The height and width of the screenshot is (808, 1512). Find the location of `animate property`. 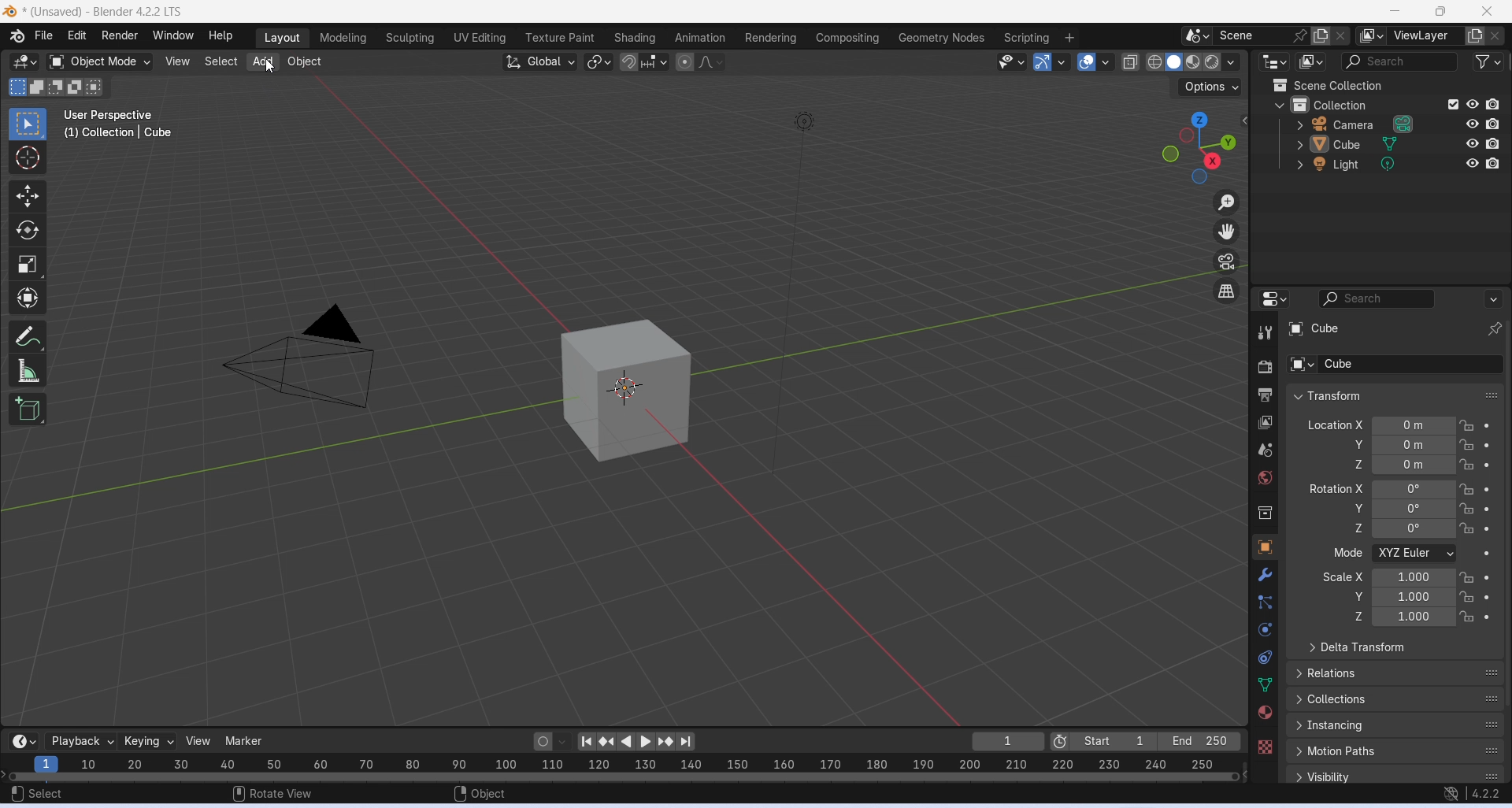

animate property is located at coordinates (1488, 445).